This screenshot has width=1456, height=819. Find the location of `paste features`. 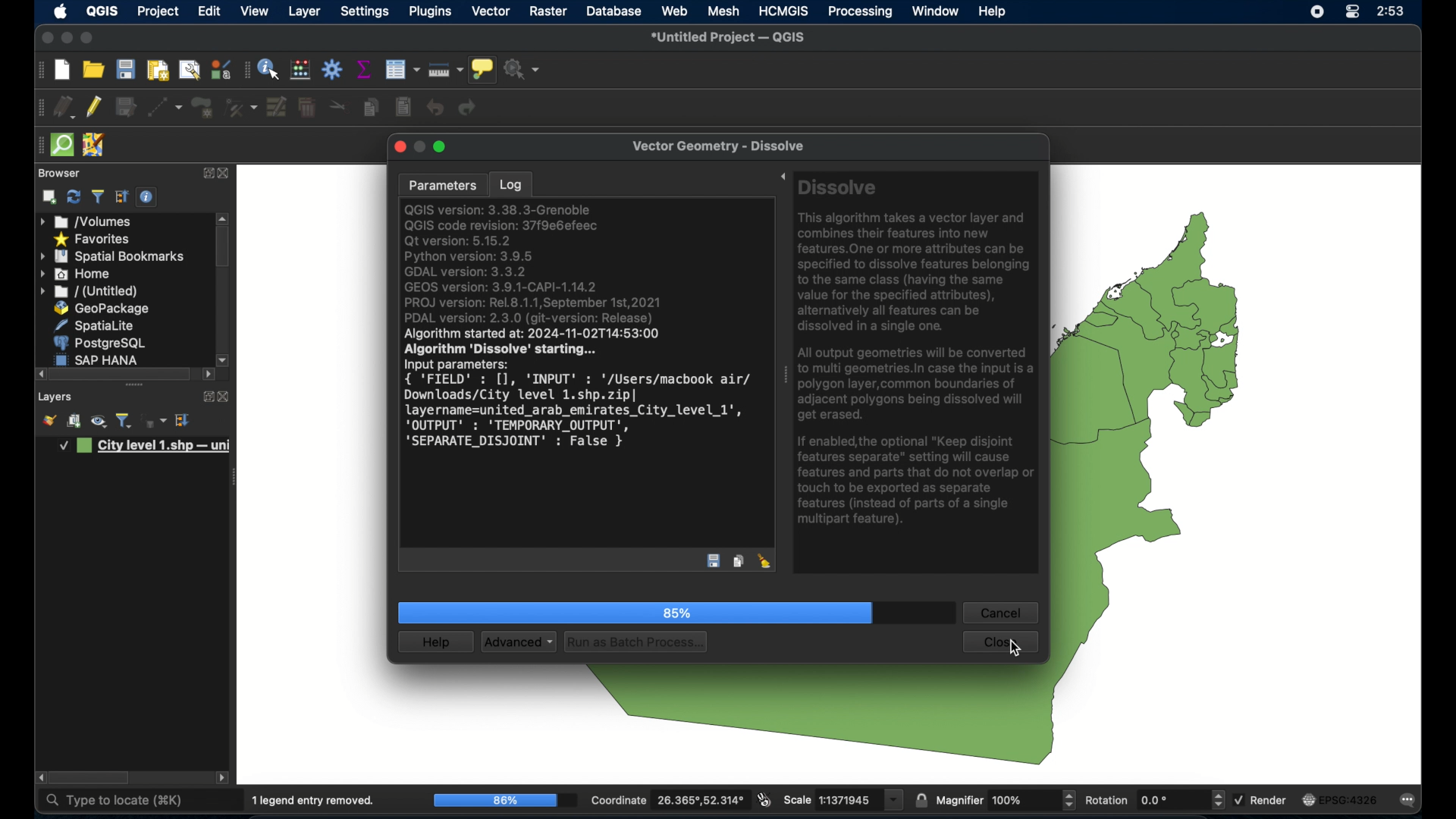

paste features is located at coordinates (403, 108).